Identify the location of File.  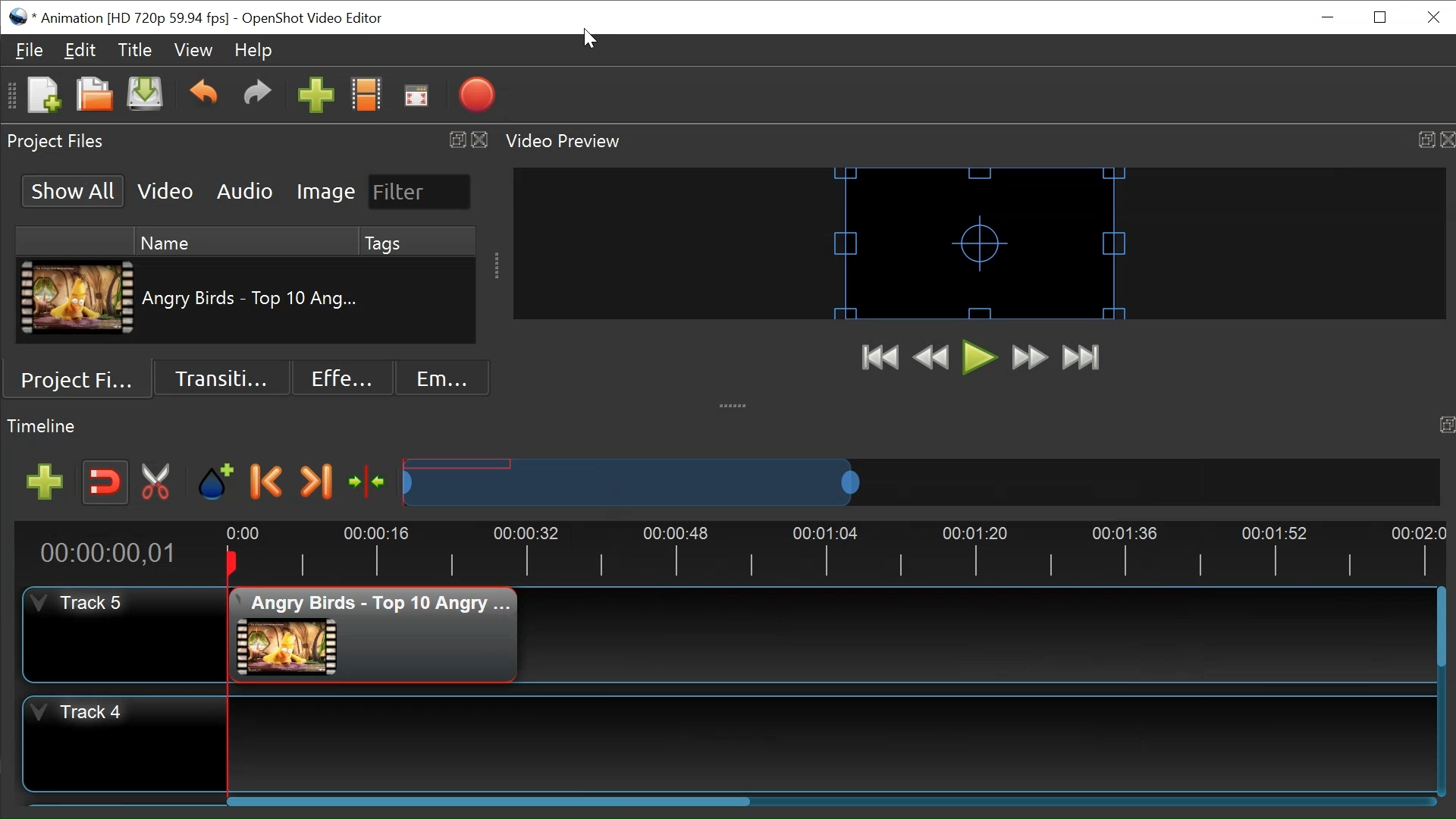
(30, 50).